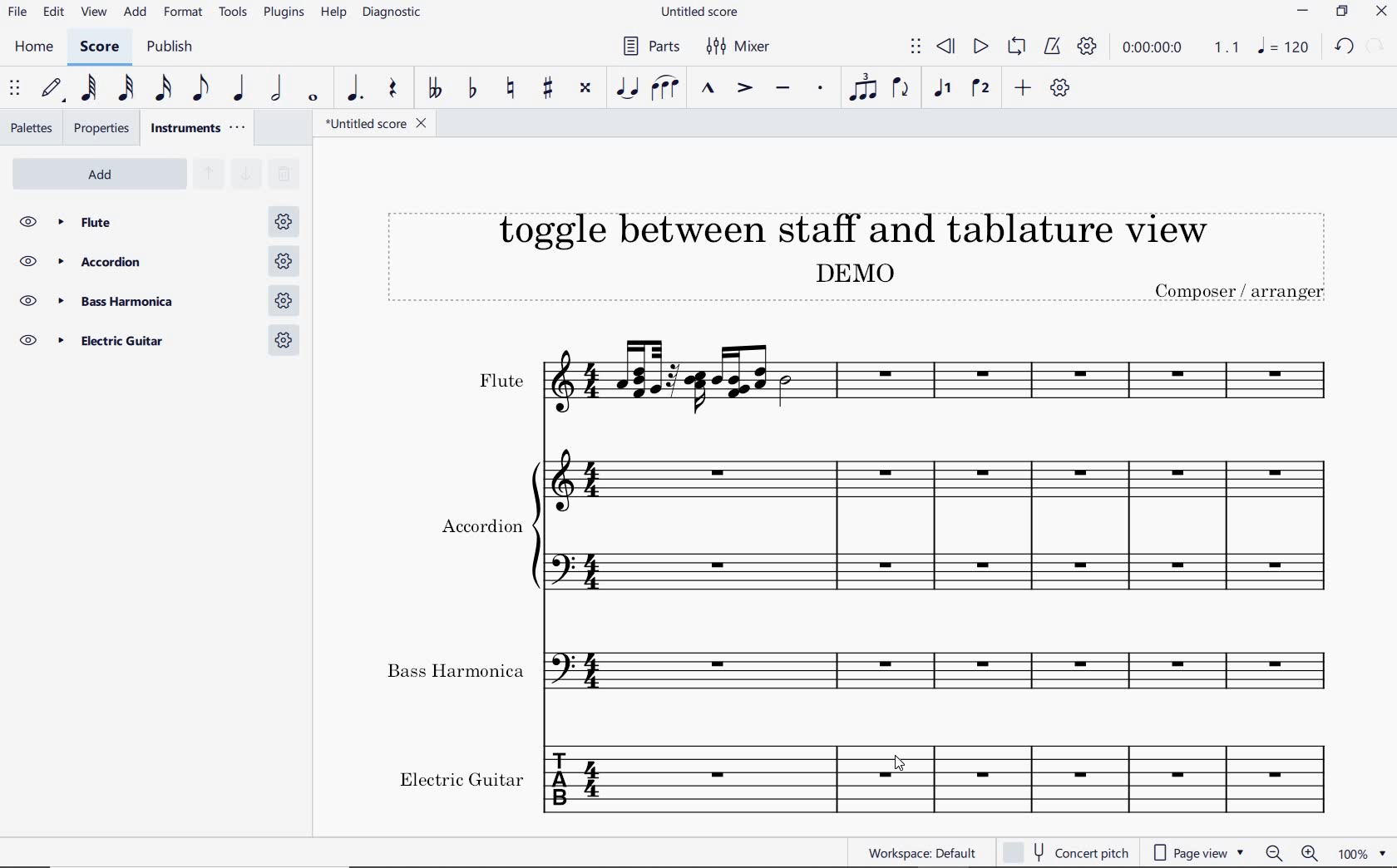 This screenshot has height=868, width=1397. What do you see at coordinates (155, 262) in the screenshot?
I see `accordion` at bounding box center [155, 262].